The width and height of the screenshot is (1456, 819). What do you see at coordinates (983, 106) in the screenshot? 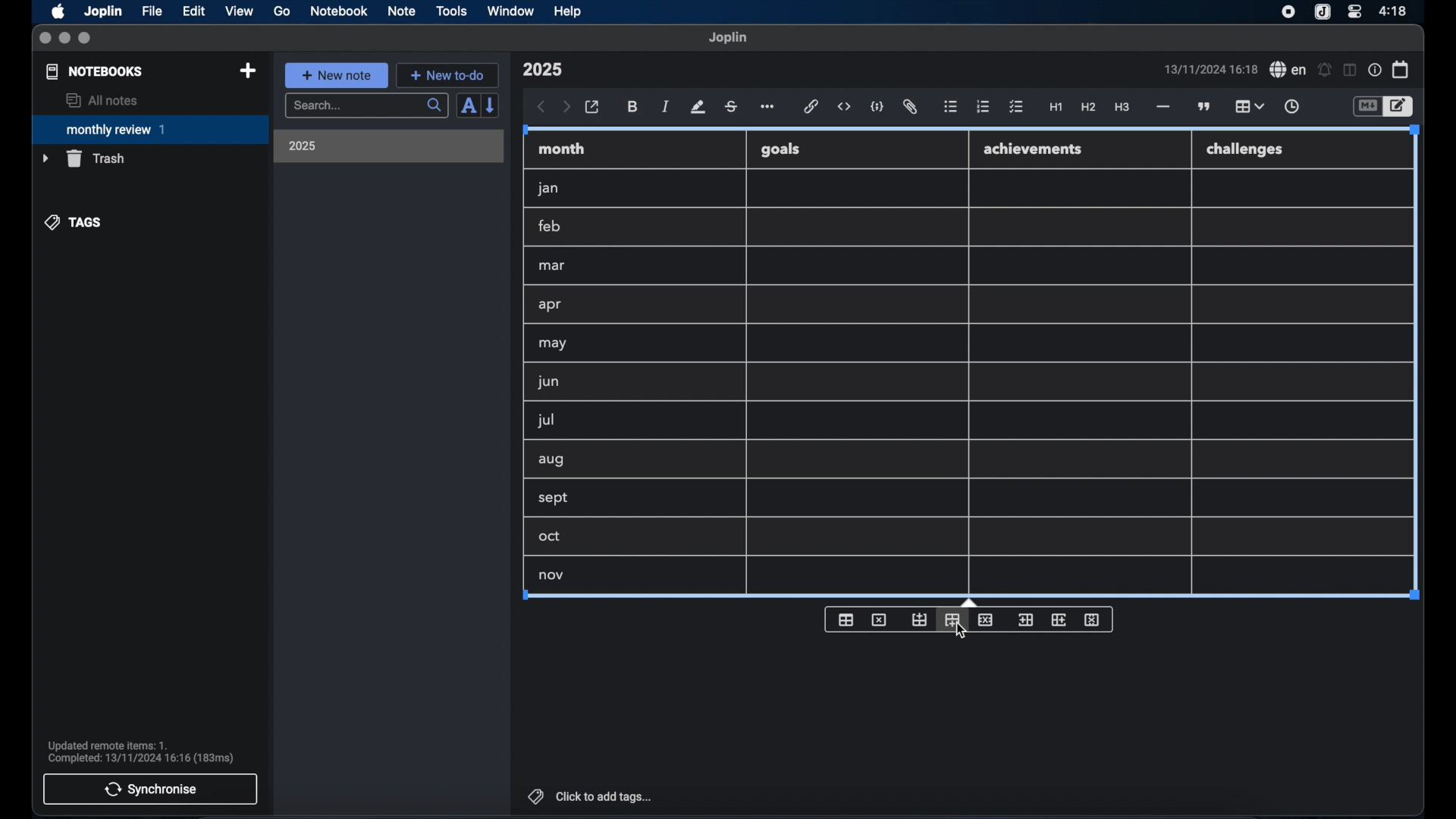
I see `numbered list` at bounding box center [983, 106].